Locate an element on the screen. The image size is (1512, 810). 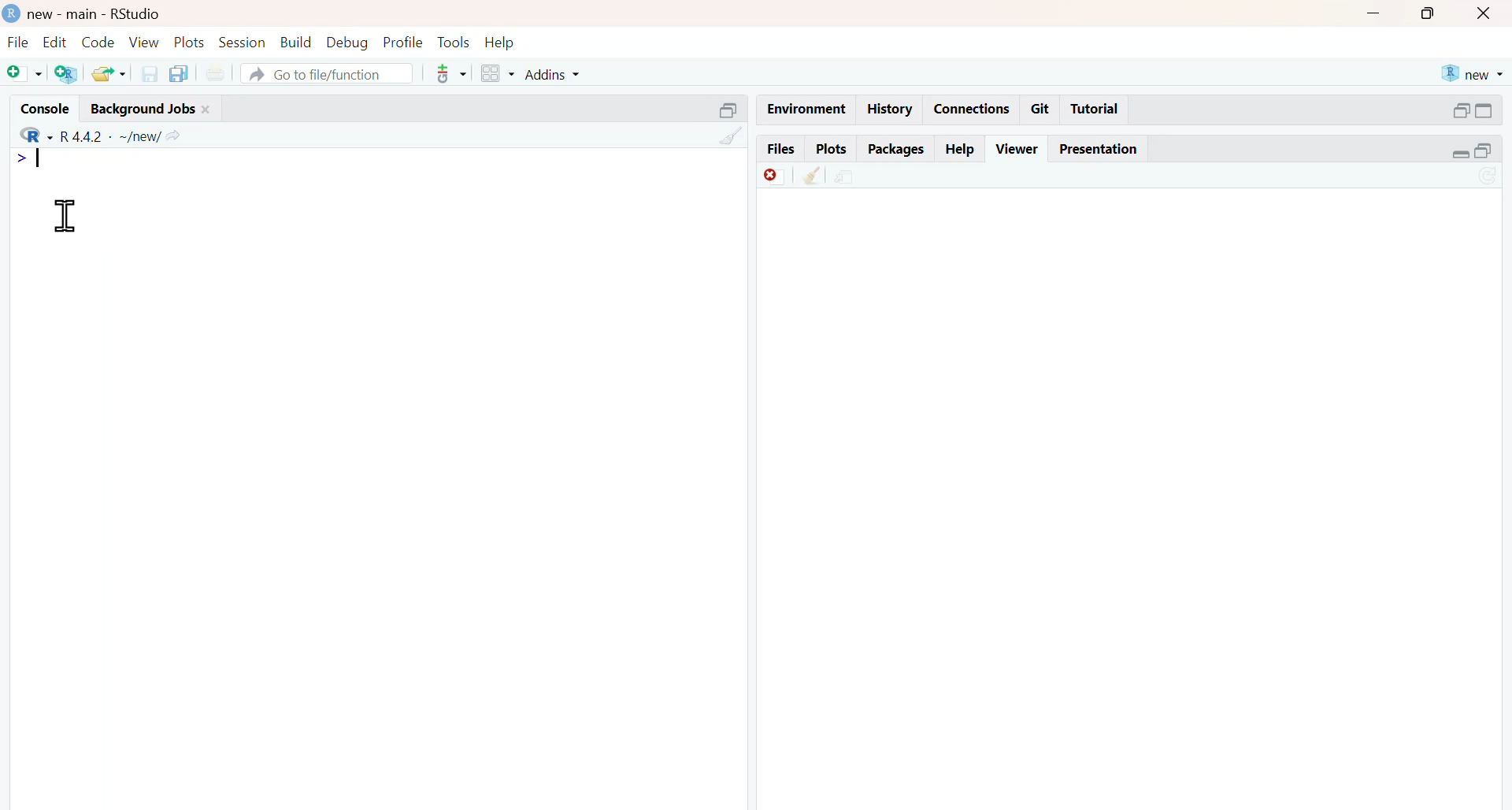
profile is located at coordinates (404, 43).